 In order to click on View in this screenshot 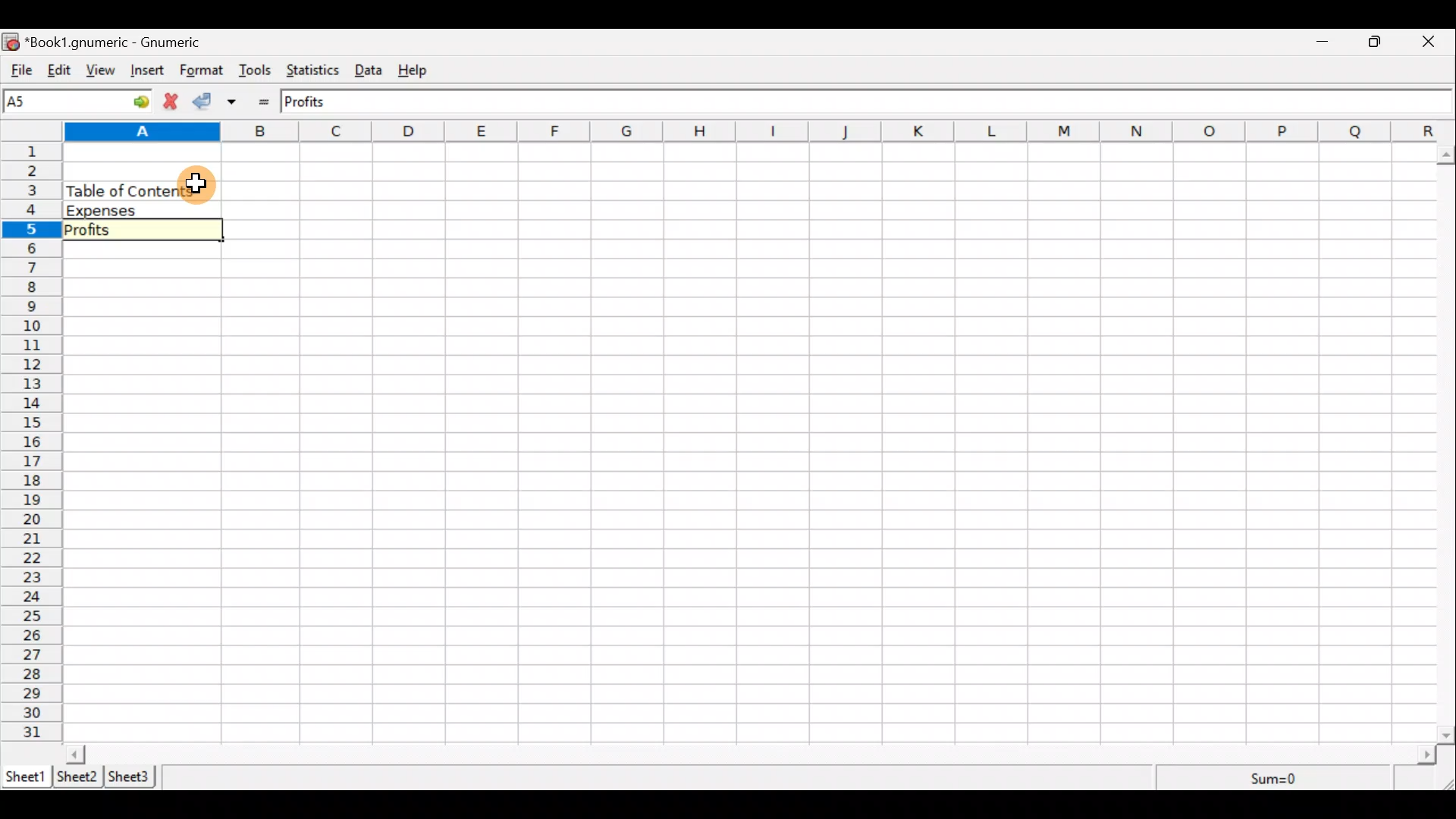, I will do `click(105, 71)`.